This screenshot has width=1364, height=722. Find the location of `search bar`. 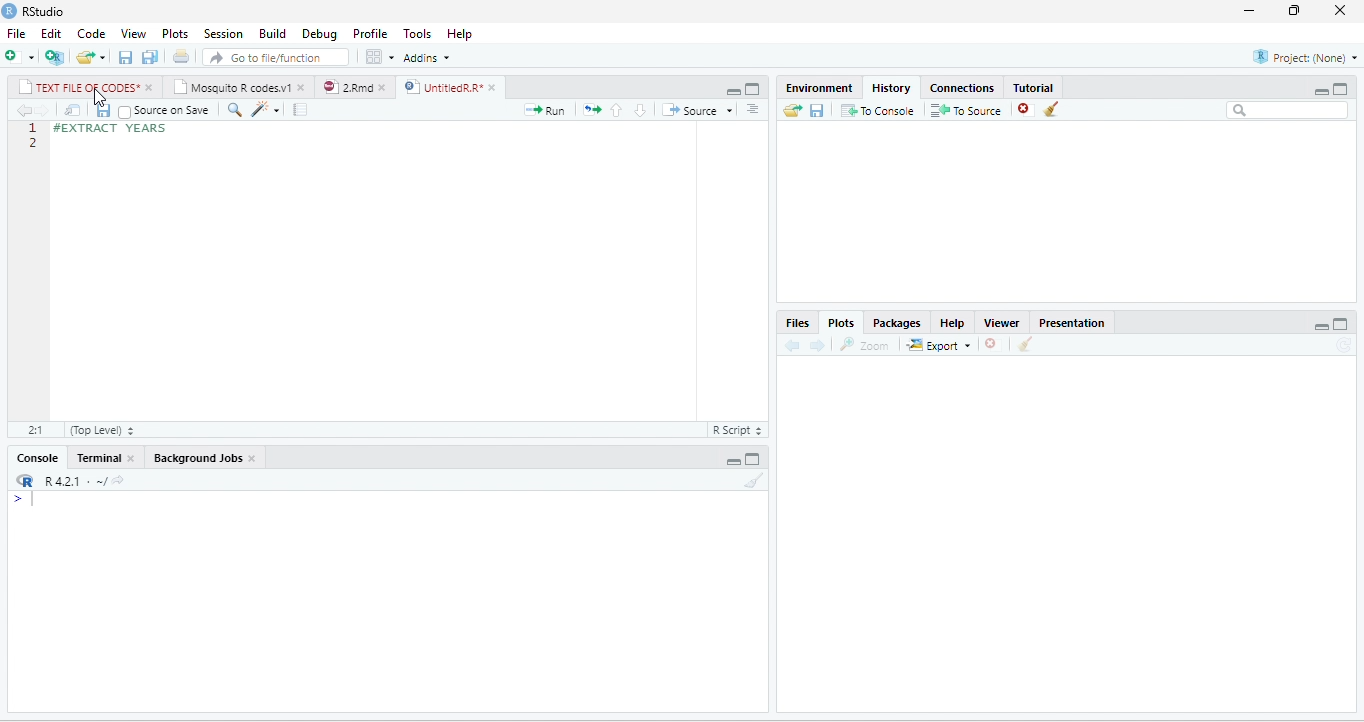

search bar is located at coordinates (1287, 111).